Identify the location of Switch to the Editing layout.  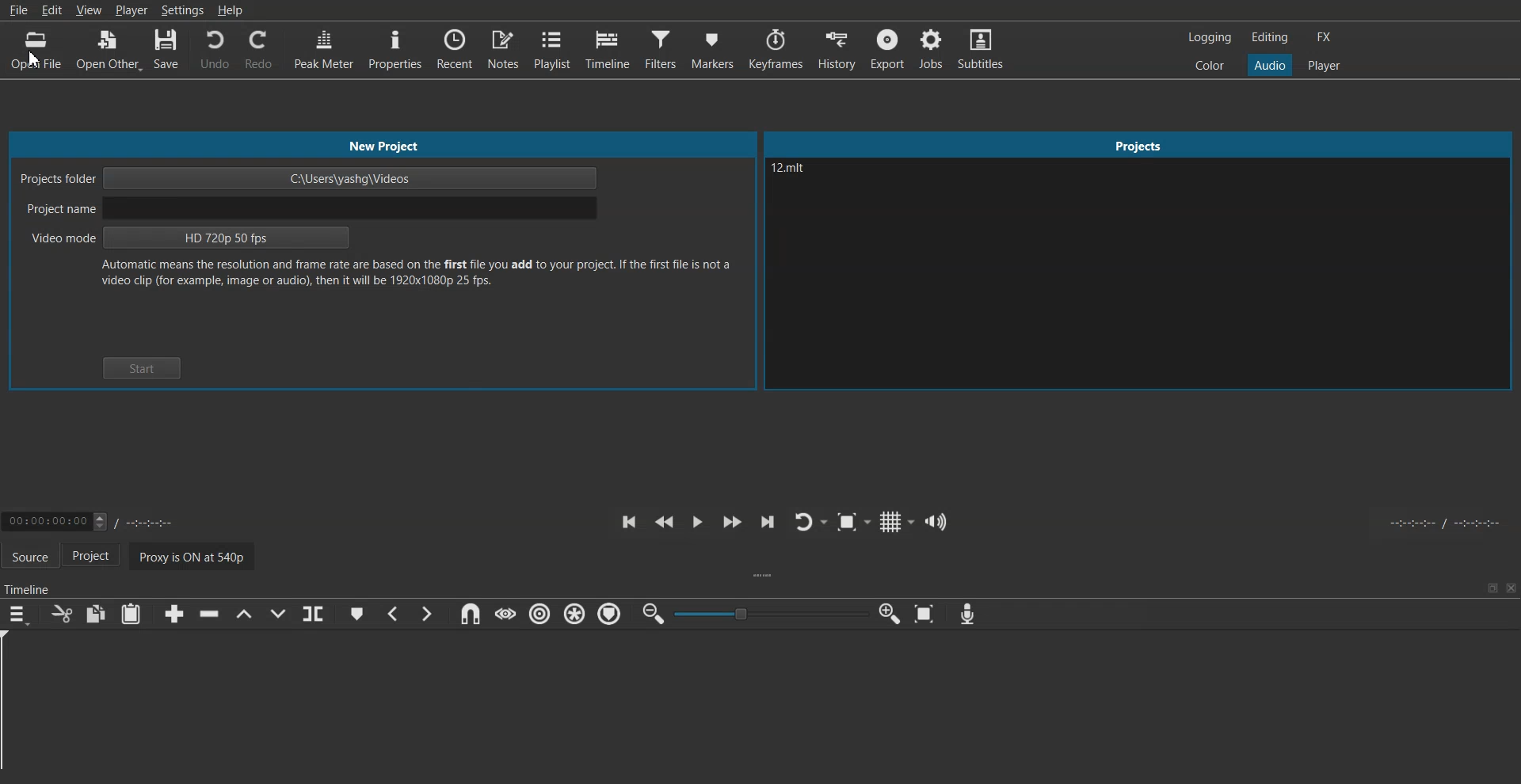
(1270, 36).